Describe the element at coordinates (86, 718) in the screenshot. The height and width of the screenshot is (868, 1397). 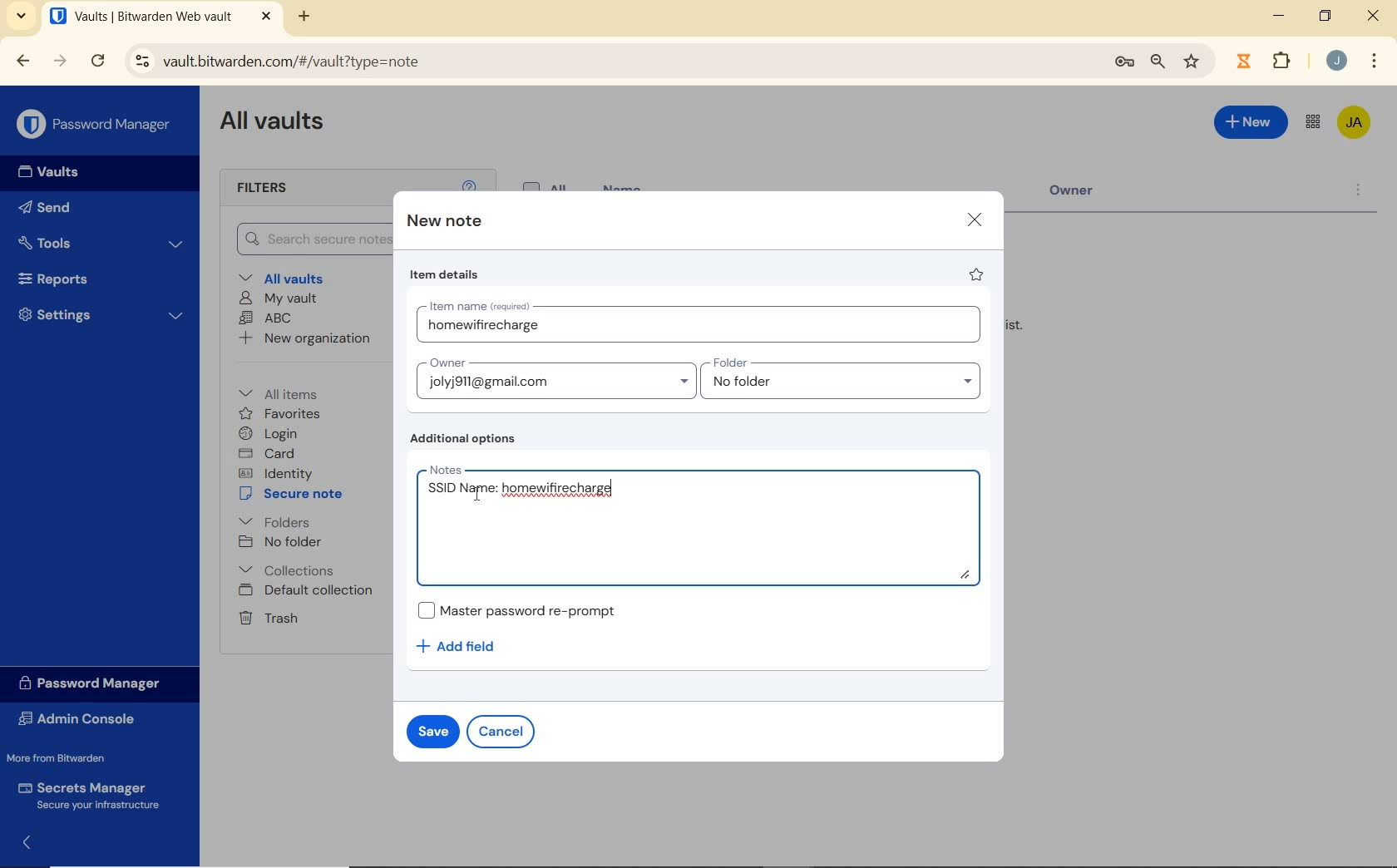
I see `Admin Console` at that location.